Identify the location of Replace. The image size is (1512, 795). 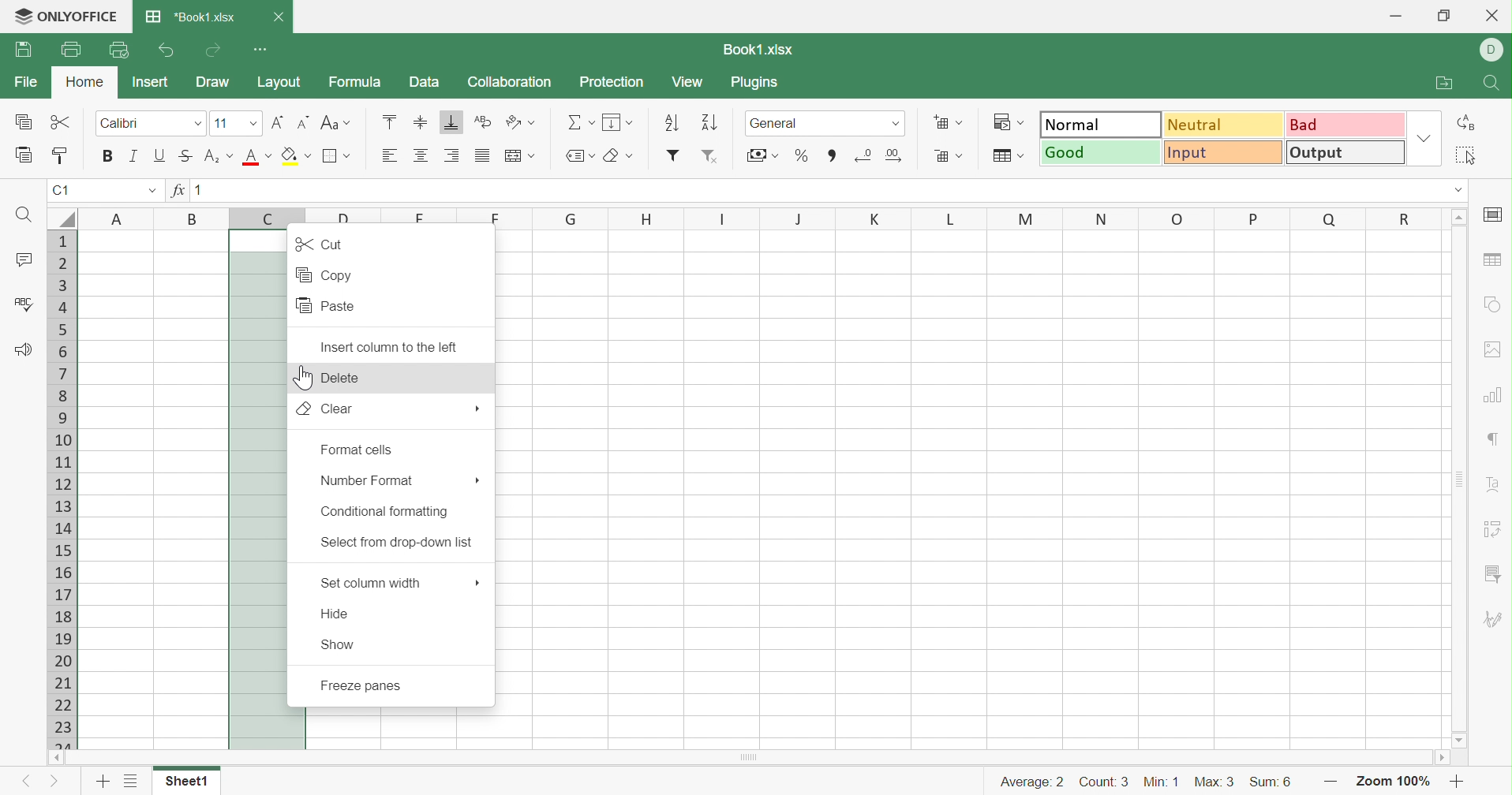
(1469, 123).